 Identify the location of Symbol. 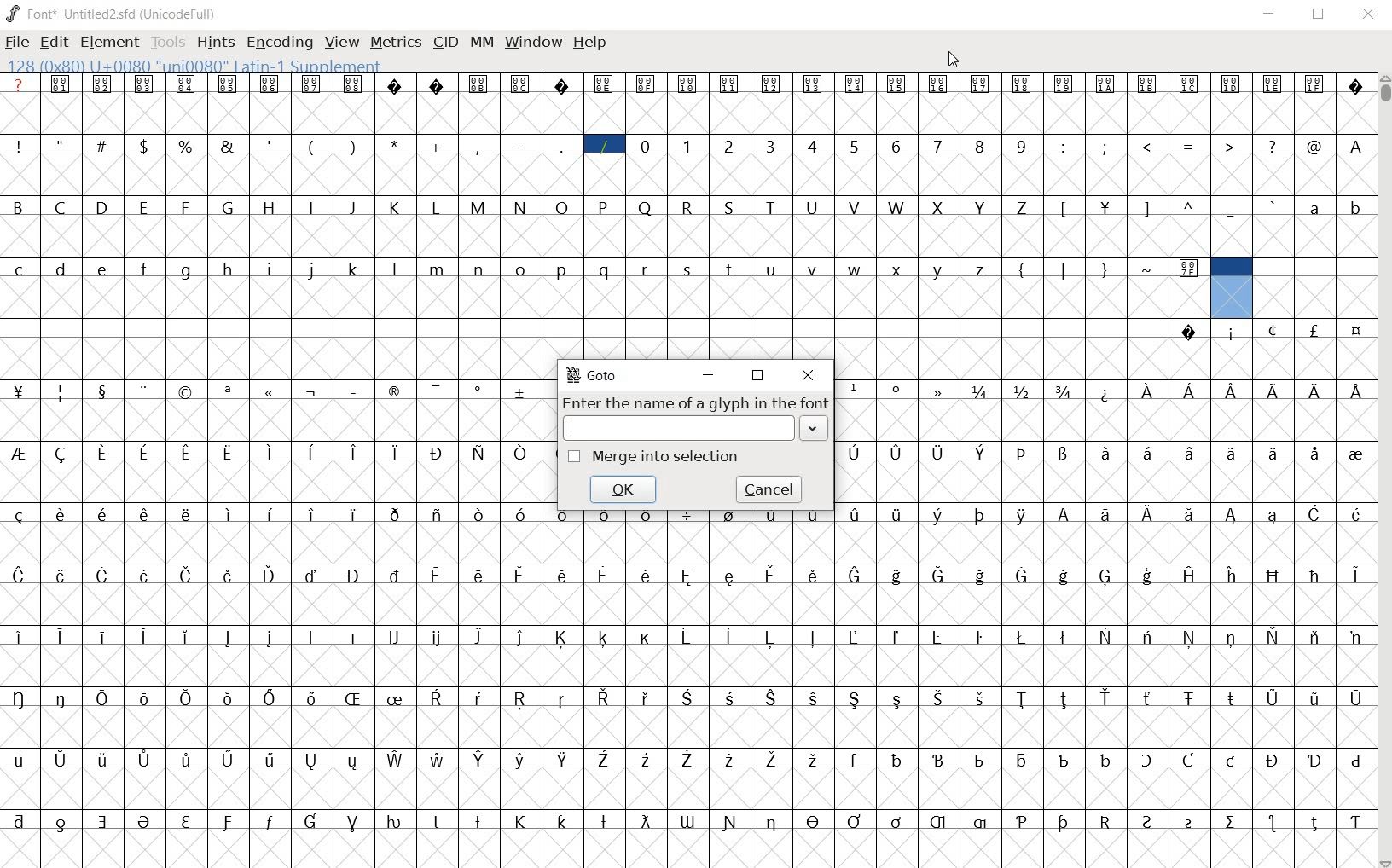
(190, 820).